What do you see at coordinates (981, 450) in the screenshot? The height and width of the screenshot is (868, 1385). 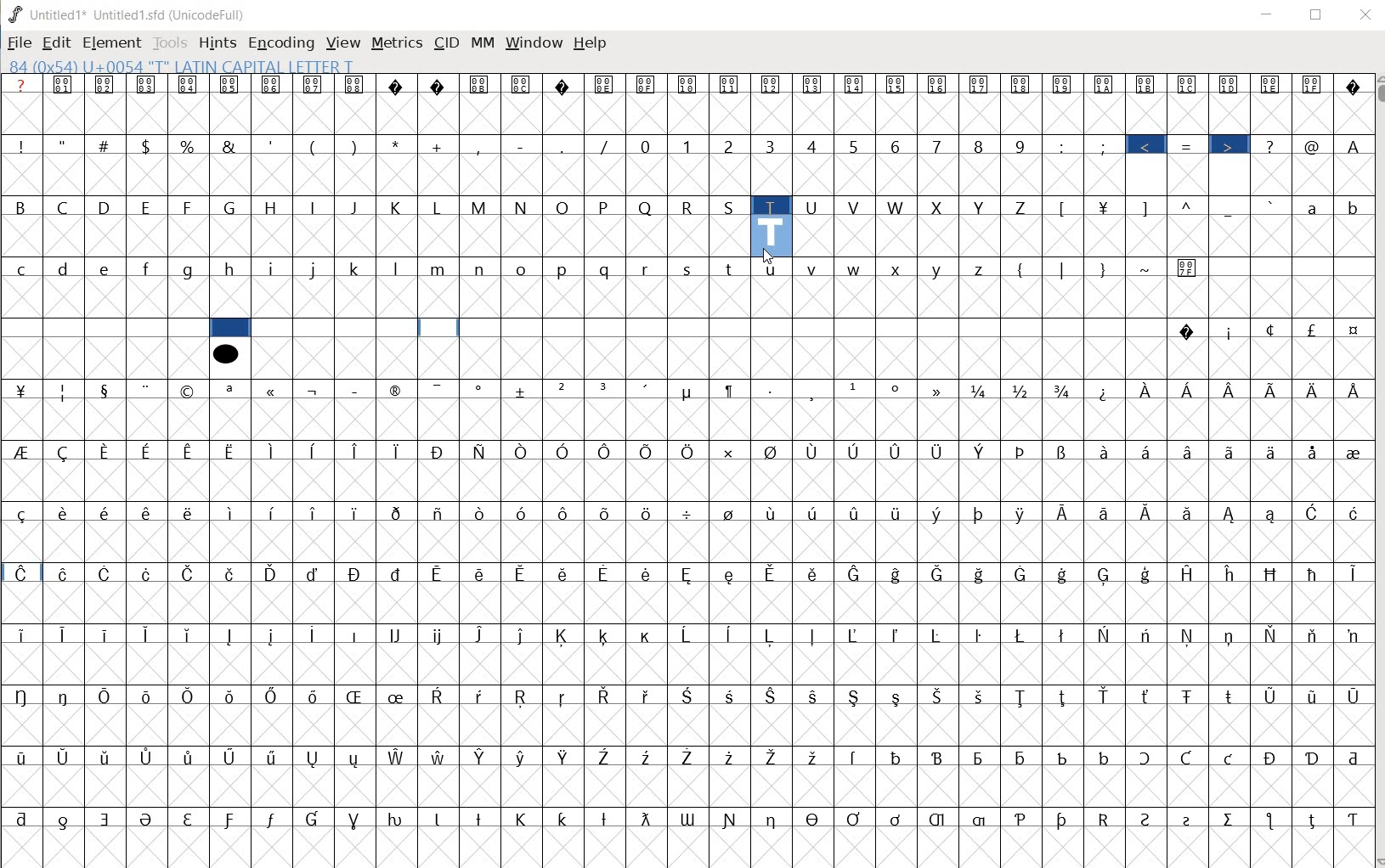 I see `Symbol` at bounding box center [981, 450].